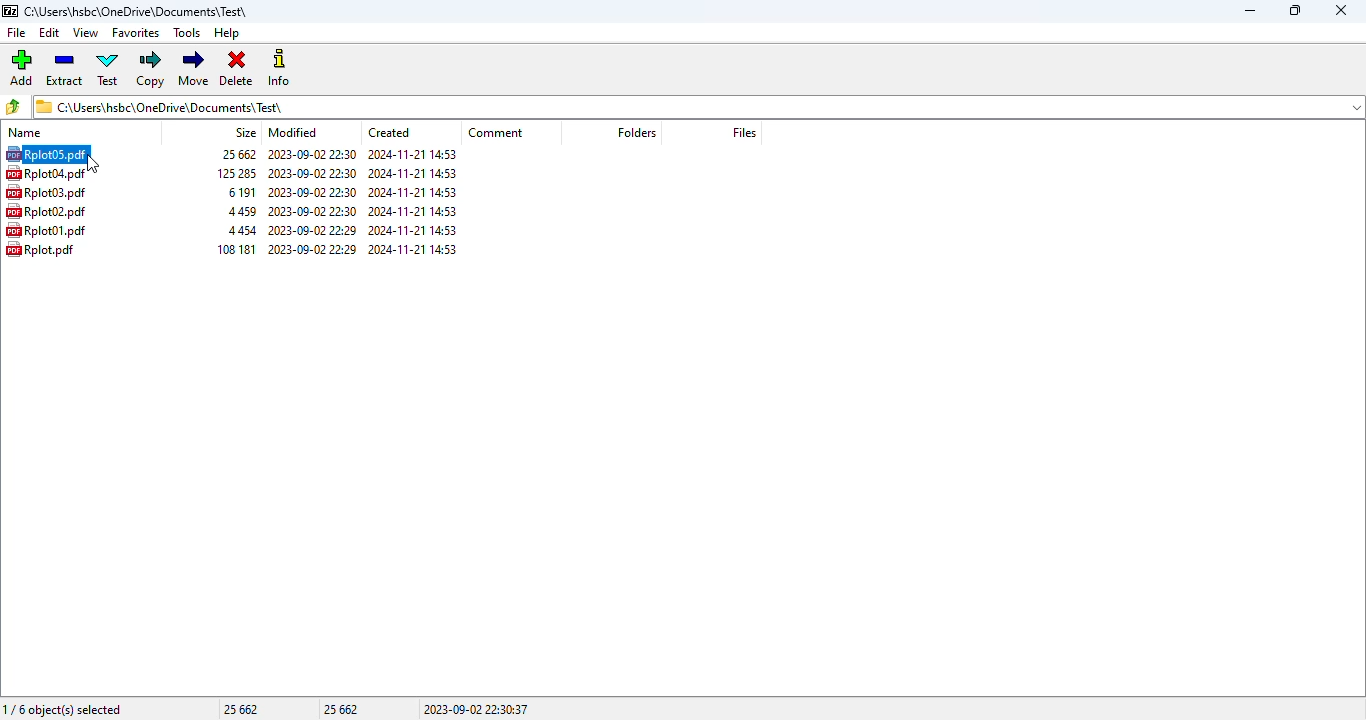  I want to click on size, so click(246, 132).